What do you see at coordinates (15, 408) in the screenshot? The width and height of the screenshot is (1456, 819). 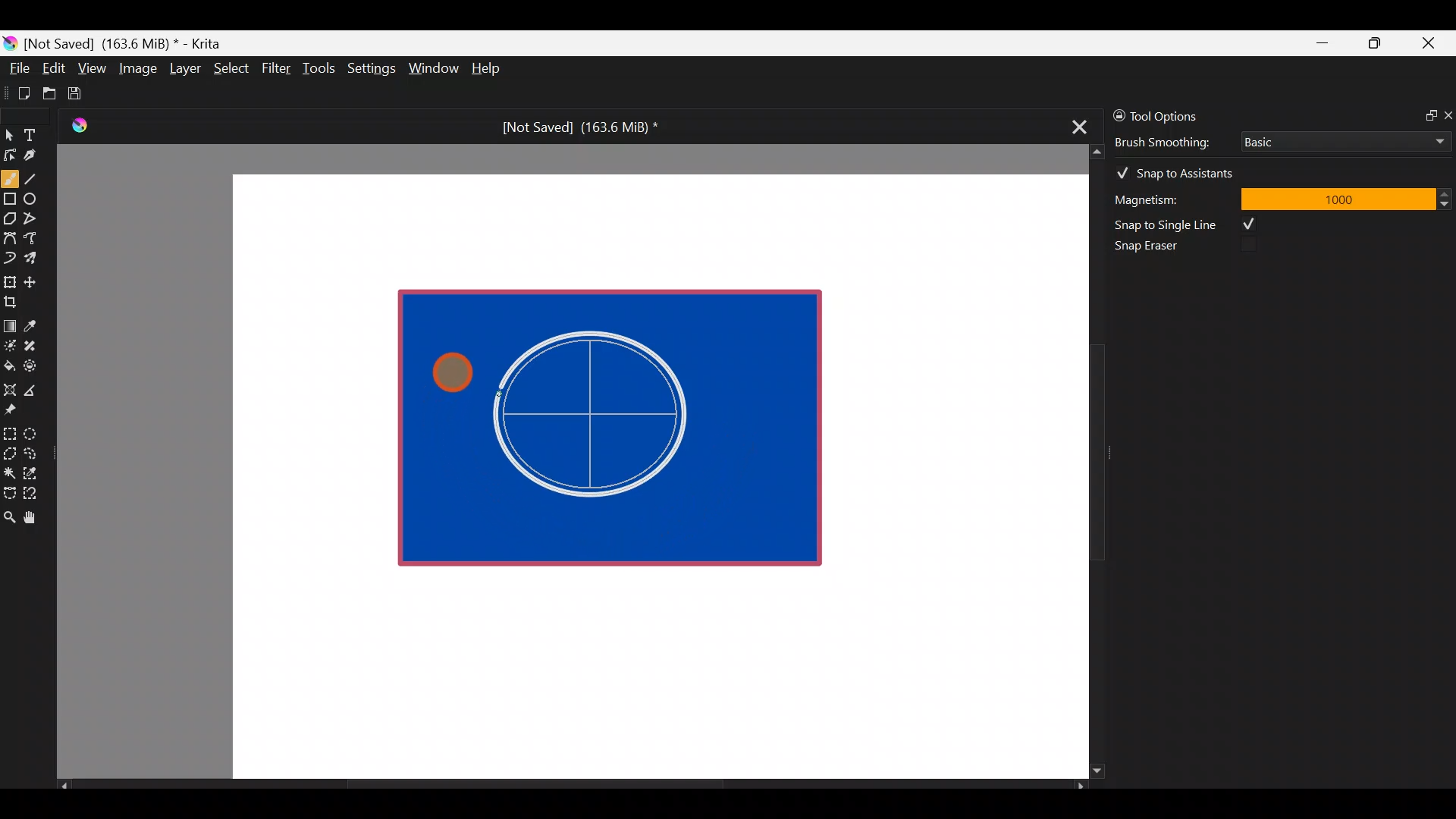 I see `Reference images tool` at bounding box center [15, 408].